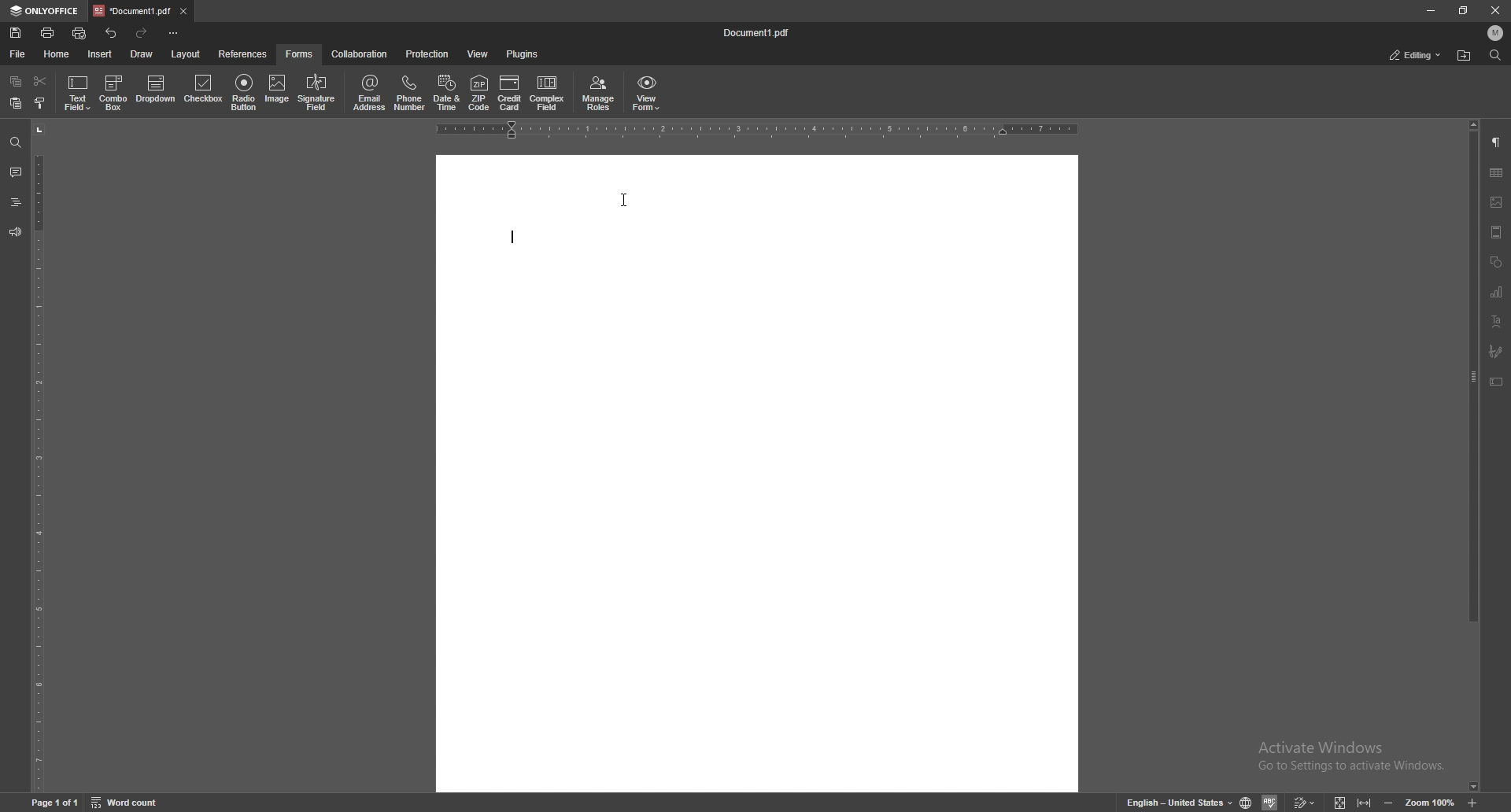 This screenshot has width=1511, height=812. What do you see at coordinates (409, 93) in the screenshot?
I see `phone number` at bounding box center [409, 93].